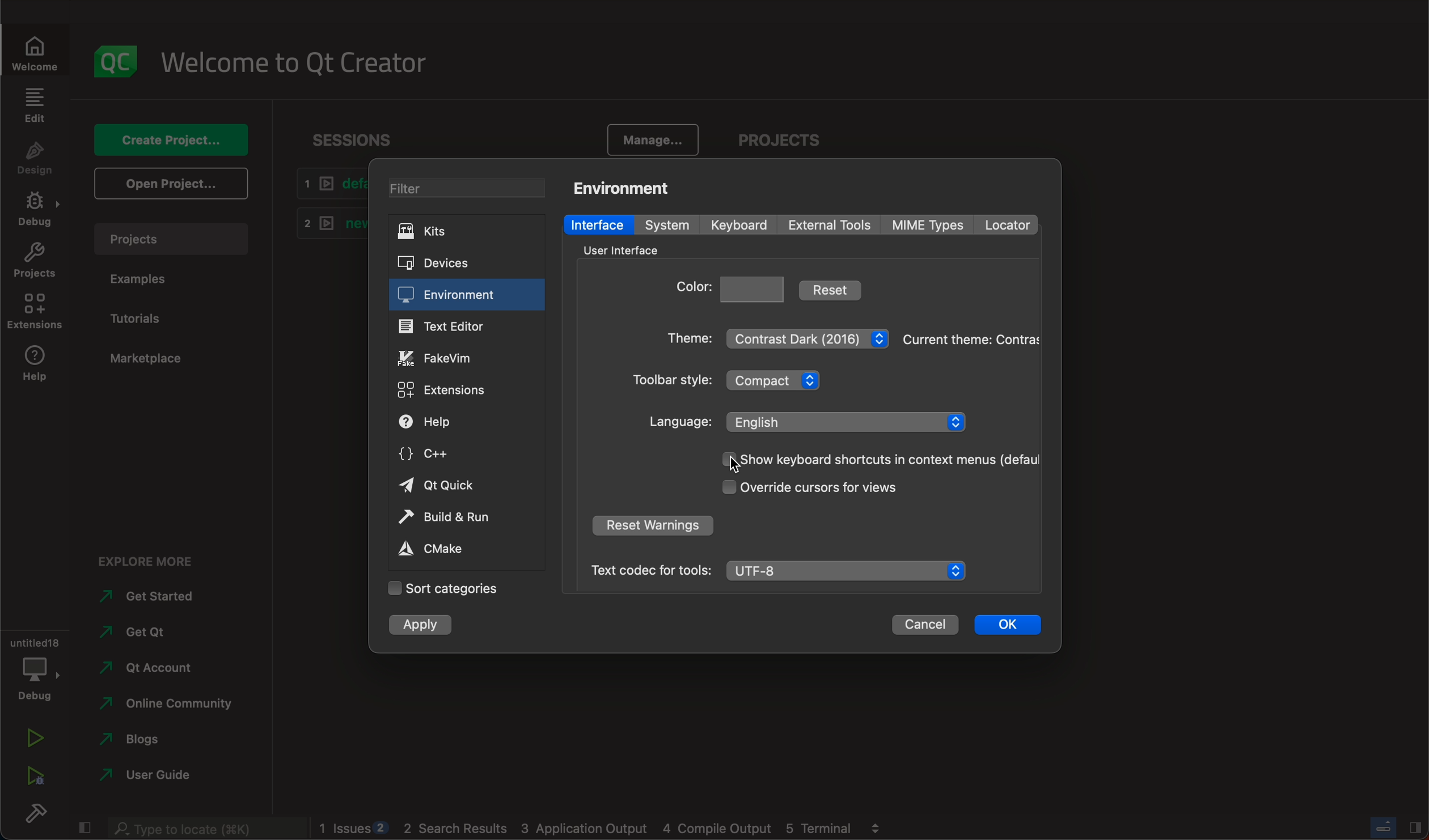  What do you see at coordinates (933, 225) in the screenshot?
I see `types` at bounding box center [933, 225].